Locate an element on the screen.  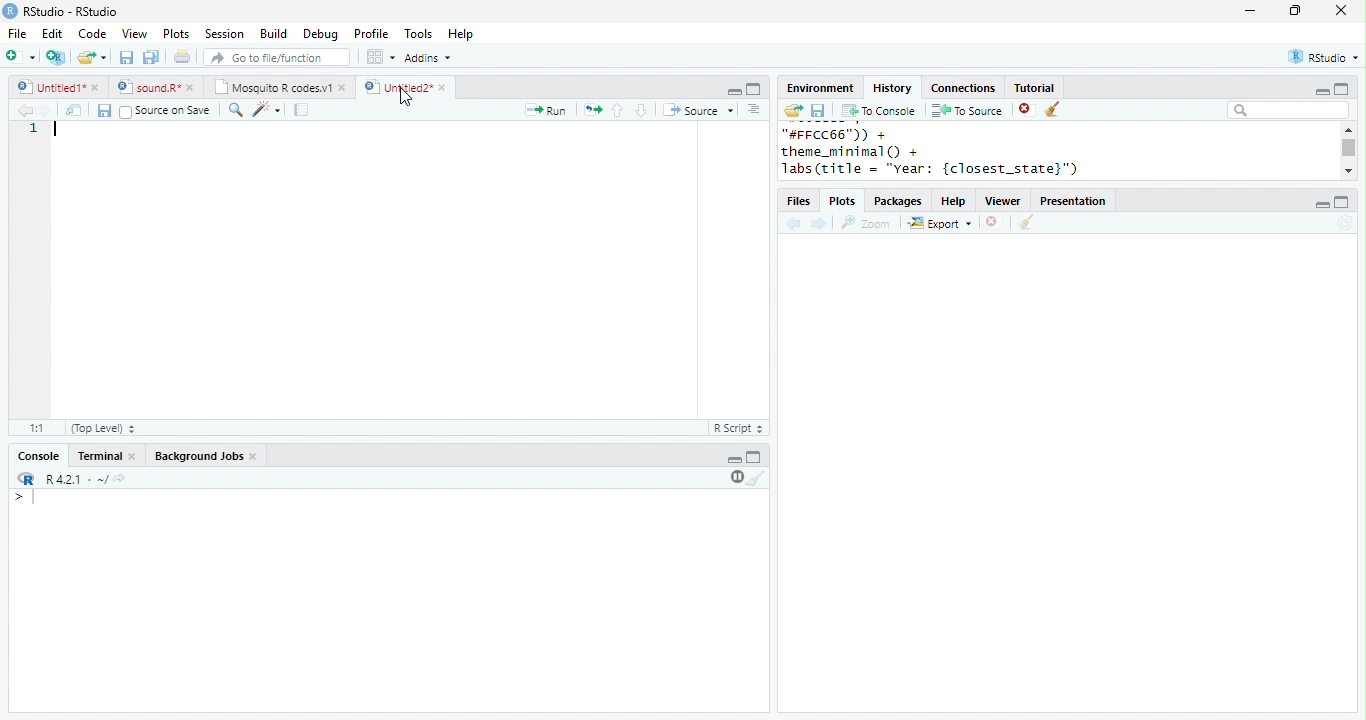
save is located at coordinates (104, 110).